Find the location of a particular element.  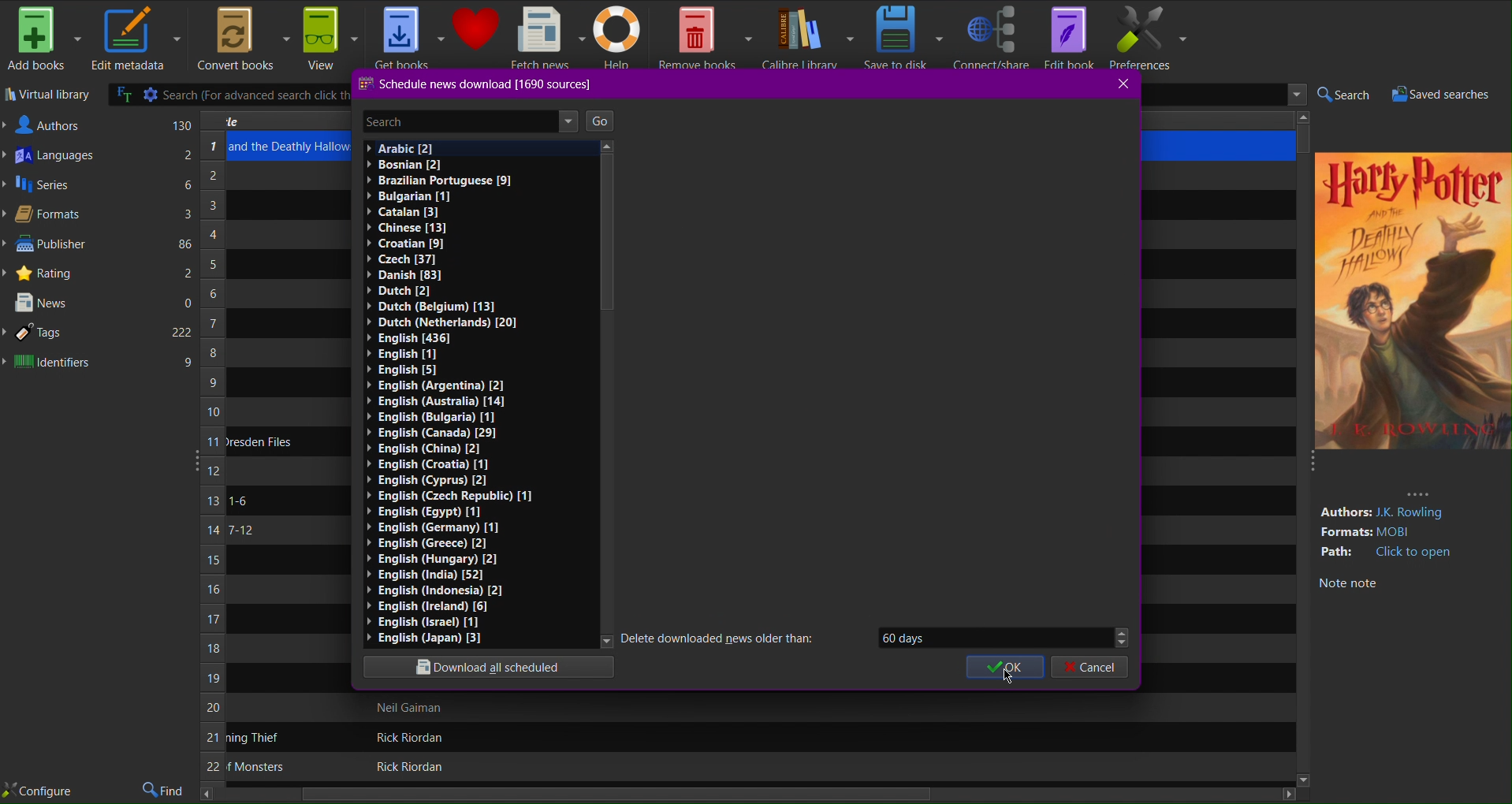

Authors : is located at coordinates (1344, 512).